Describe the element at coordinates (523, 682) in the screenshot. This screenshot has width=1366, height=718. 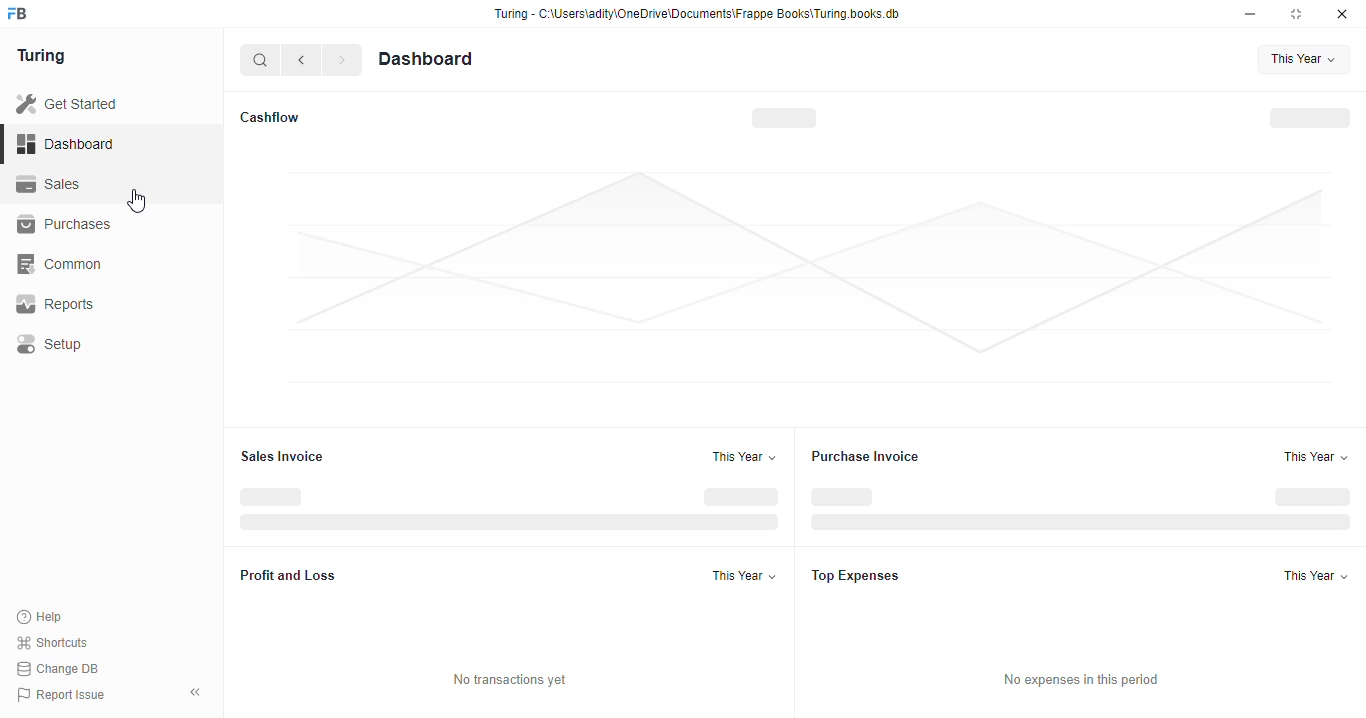
I see `No transactions yet` at that location.